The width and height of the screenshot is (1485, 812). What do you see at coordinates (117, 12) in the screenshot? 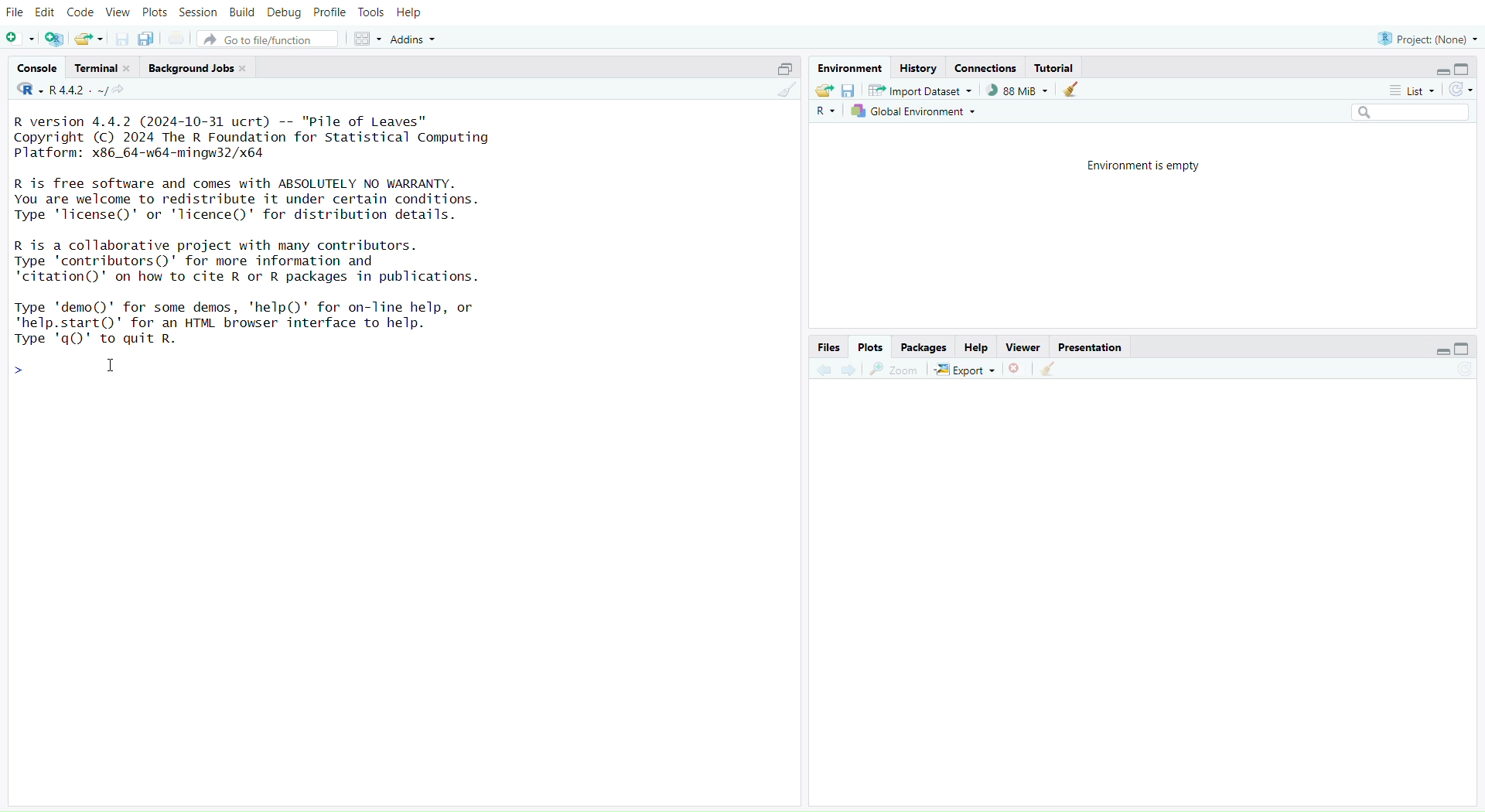
I see `view` at bounding box center [117, 12].